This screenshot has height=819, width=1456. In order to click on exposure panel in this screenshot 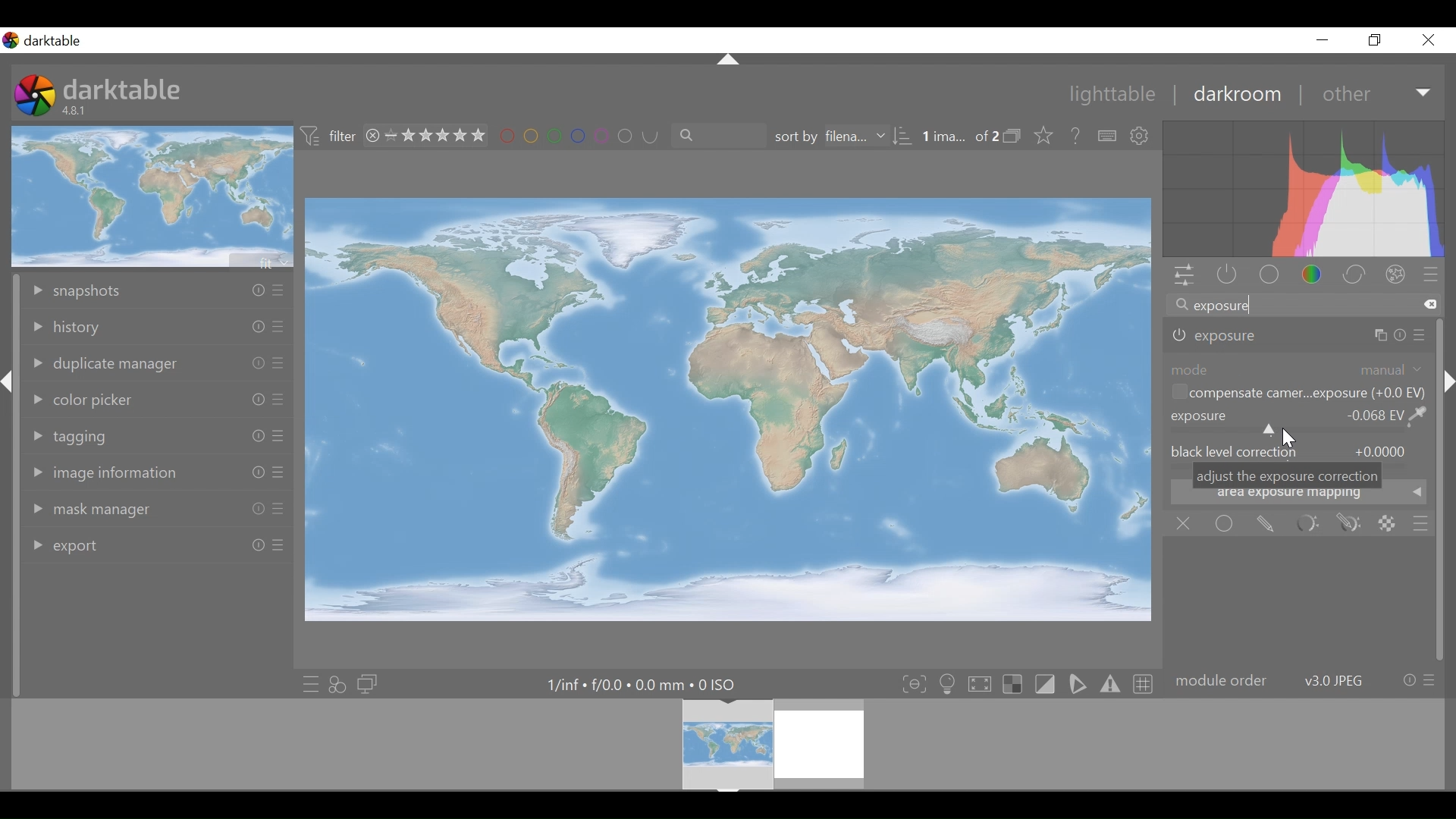, I will do `click(1299, 336)`.